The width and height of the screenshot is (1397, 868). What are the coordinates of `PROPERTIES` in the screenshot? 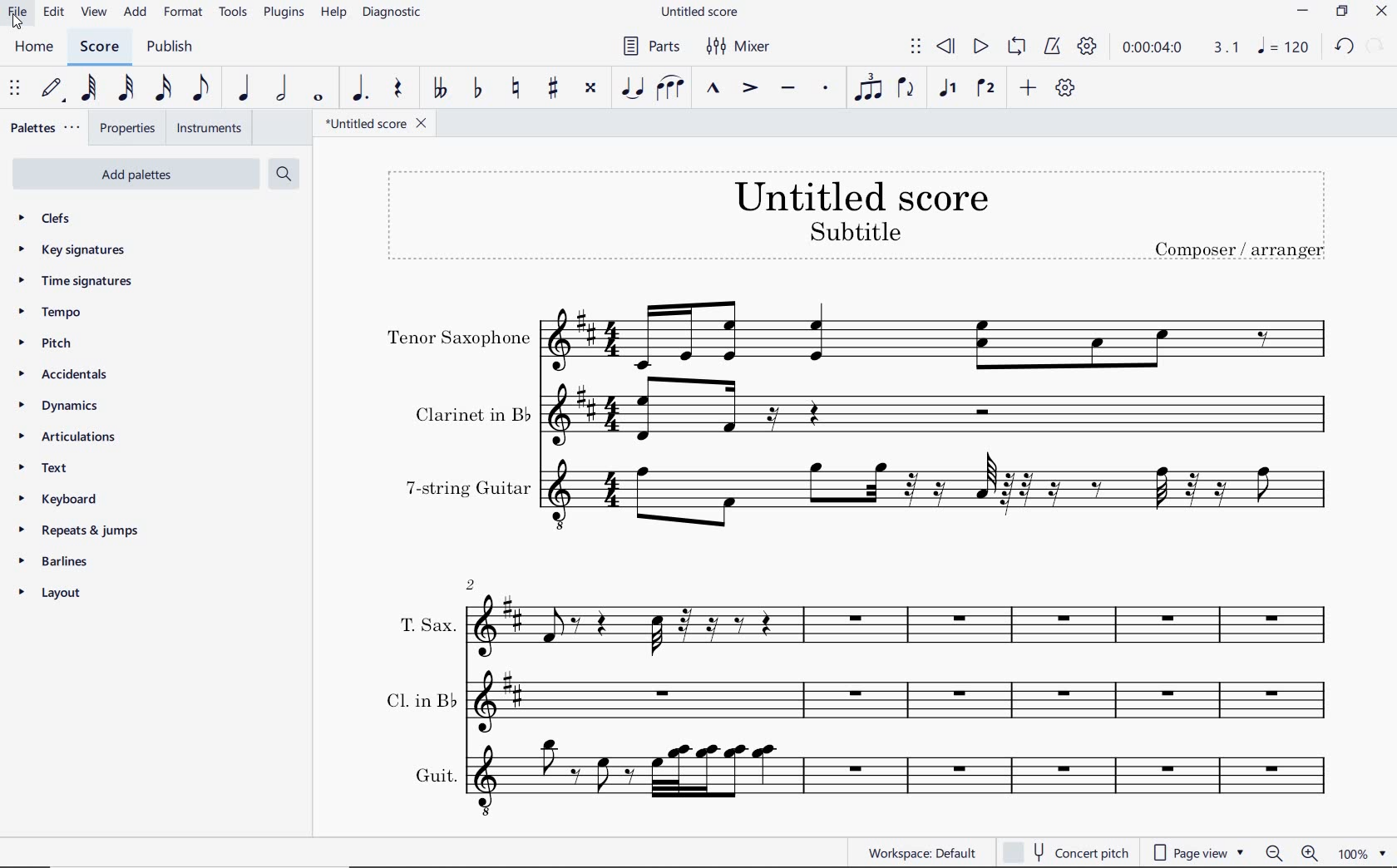 It's located at (128, 128).